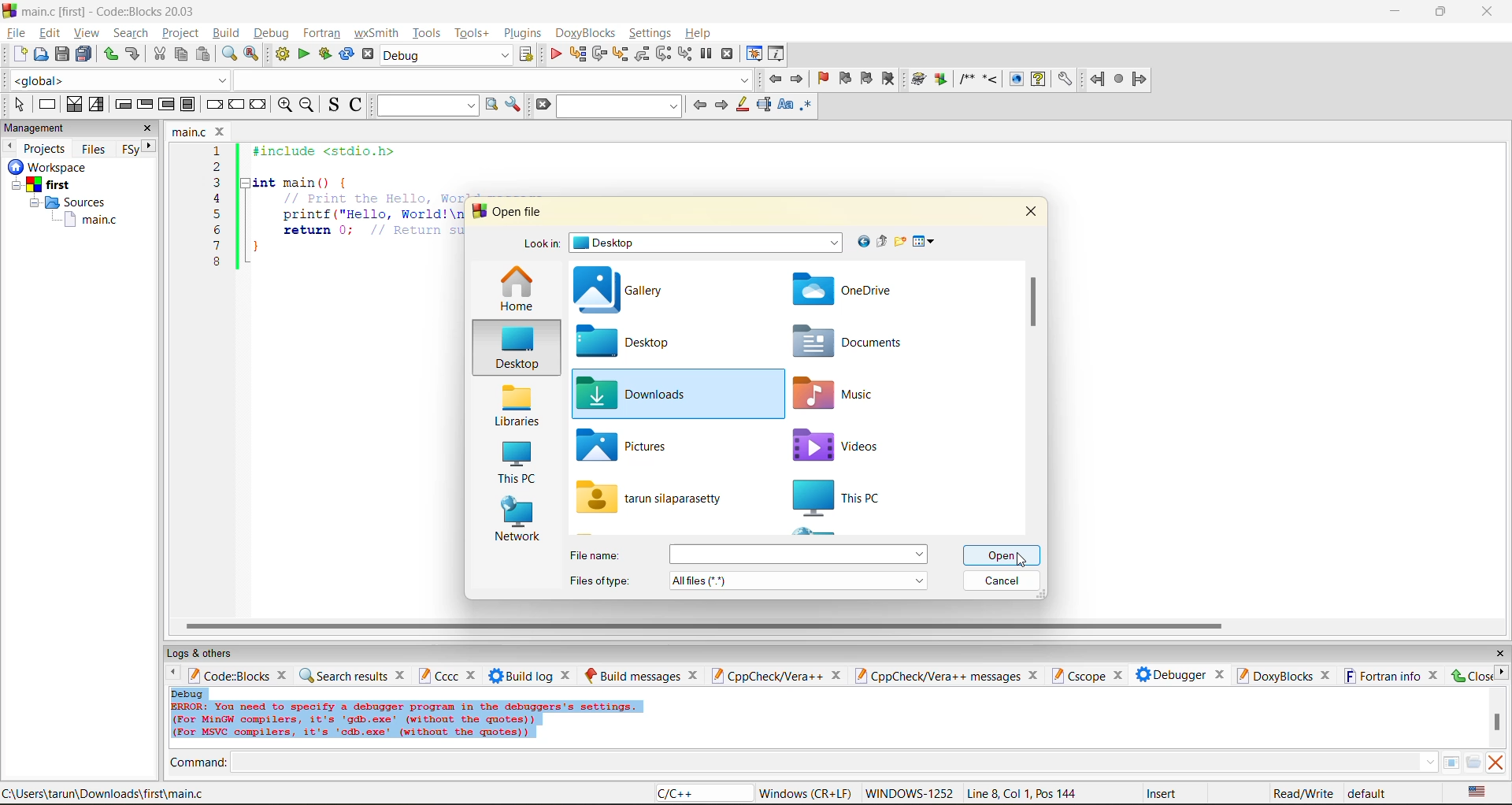 The height and width of the screenshot is (805, 1512). Describe the element at coordinates (966, 79) in the screenshot. I see `comment` at that location.